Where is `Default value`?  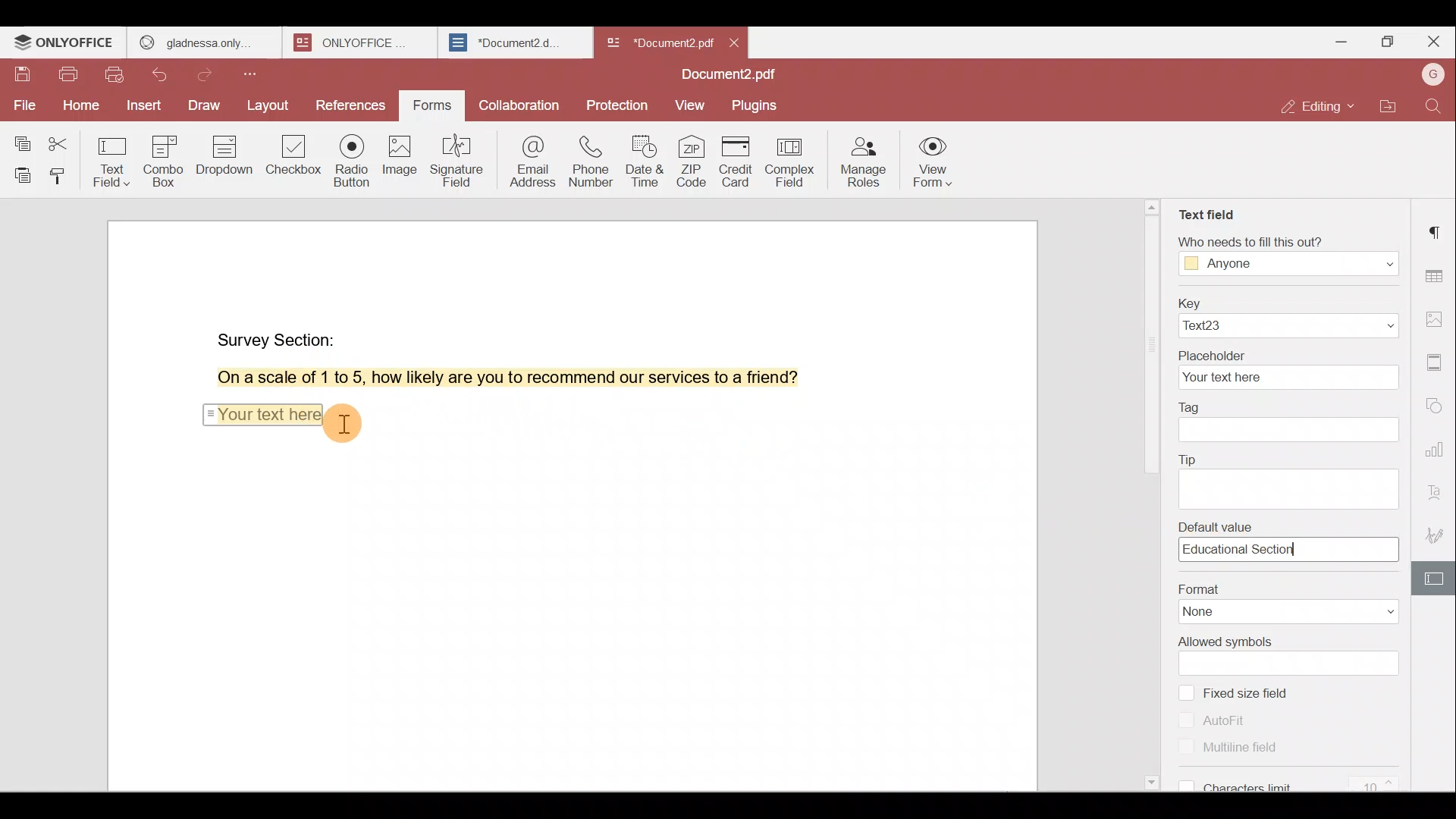 Default value is located at coordinates (1294, 541).